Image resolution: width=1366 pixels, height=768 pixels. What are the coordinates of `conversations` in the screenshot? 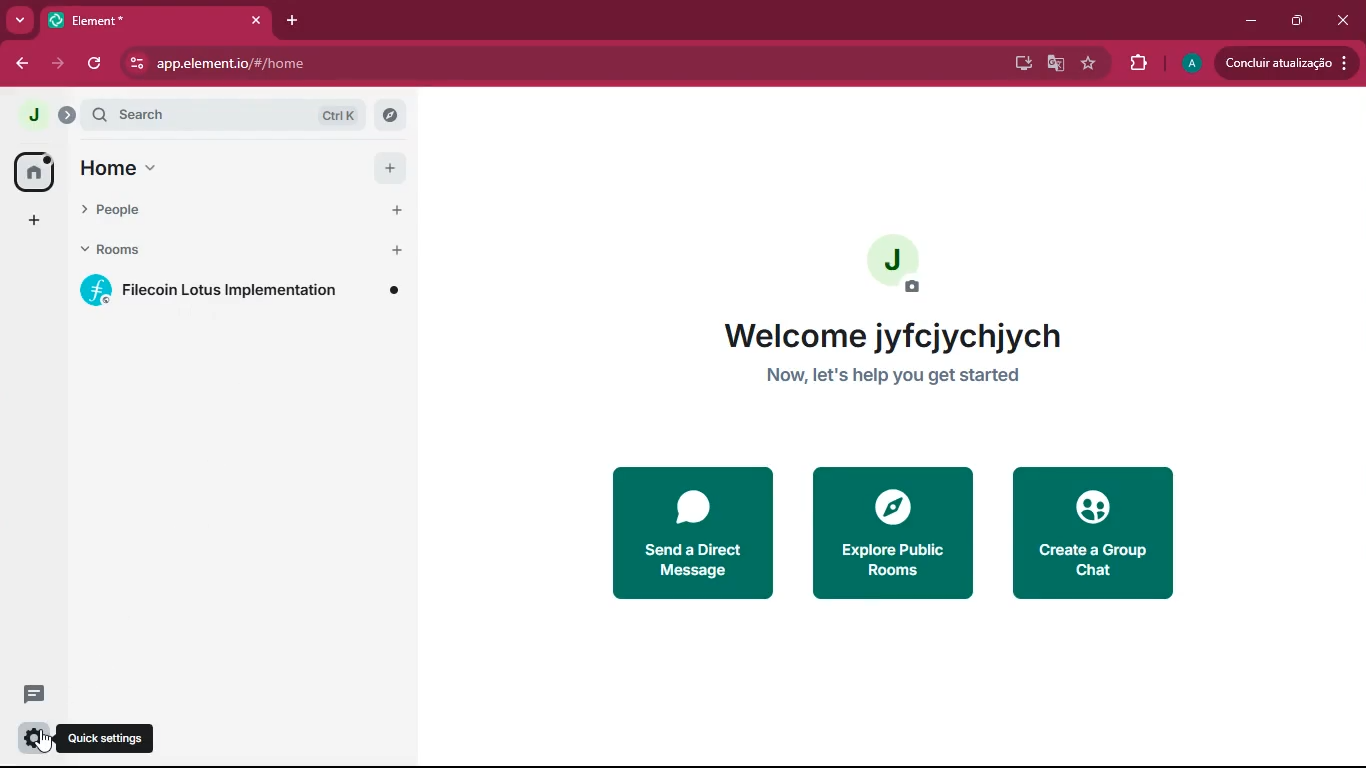 It's located at (26, 692).